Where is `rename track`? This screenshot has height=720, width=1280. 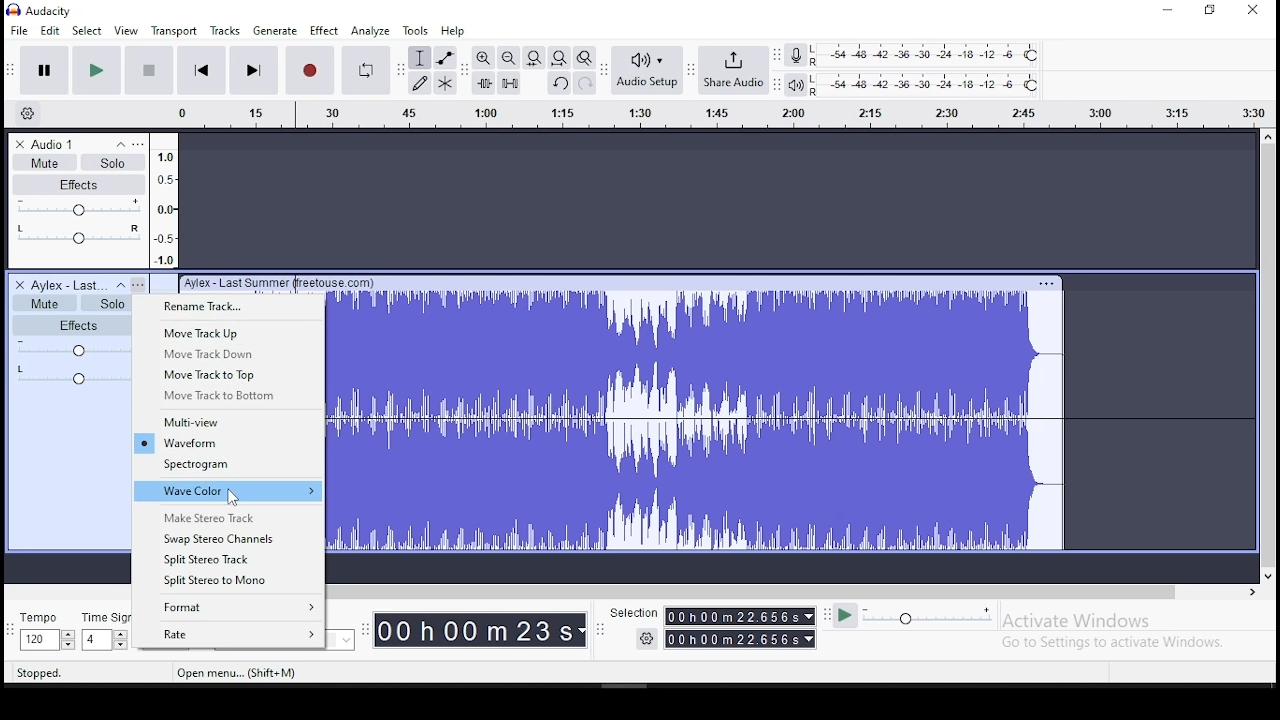 rename track is located at coordinates (228, 307).